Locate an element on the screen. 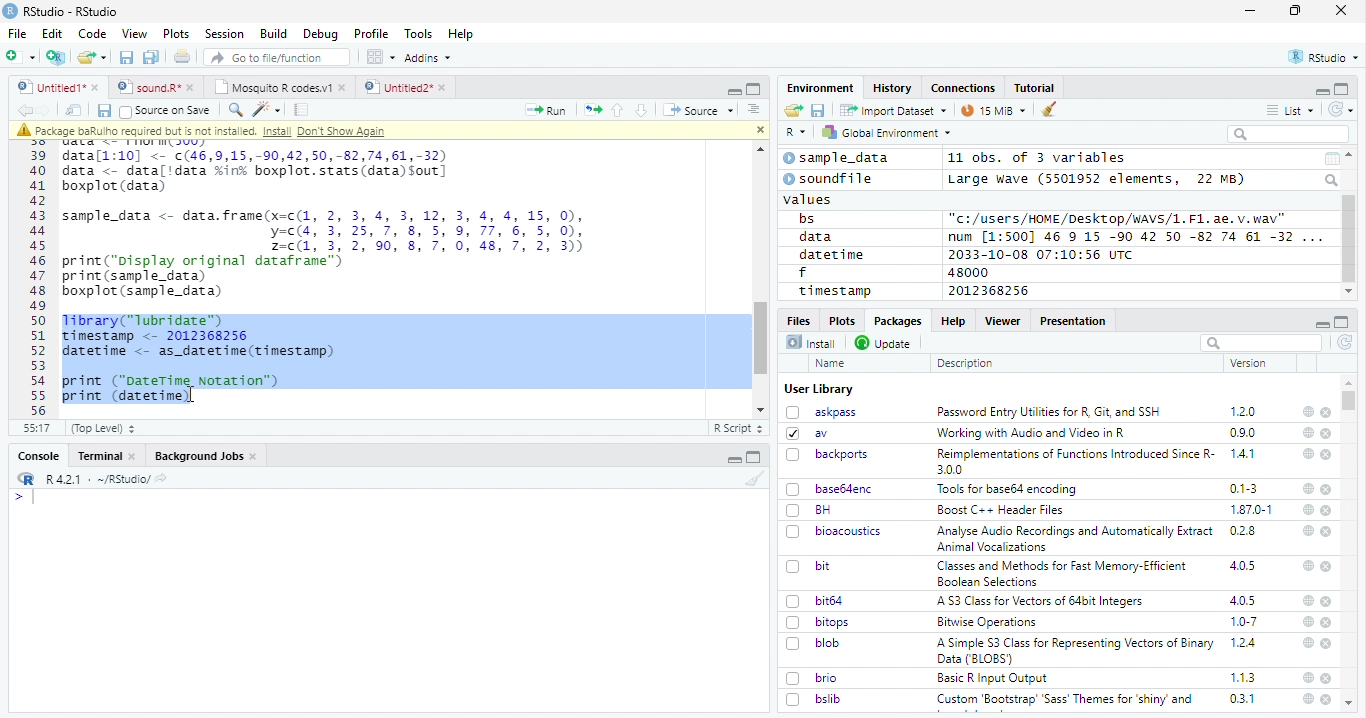  Go to previous section is located at coordinates (619, 110).